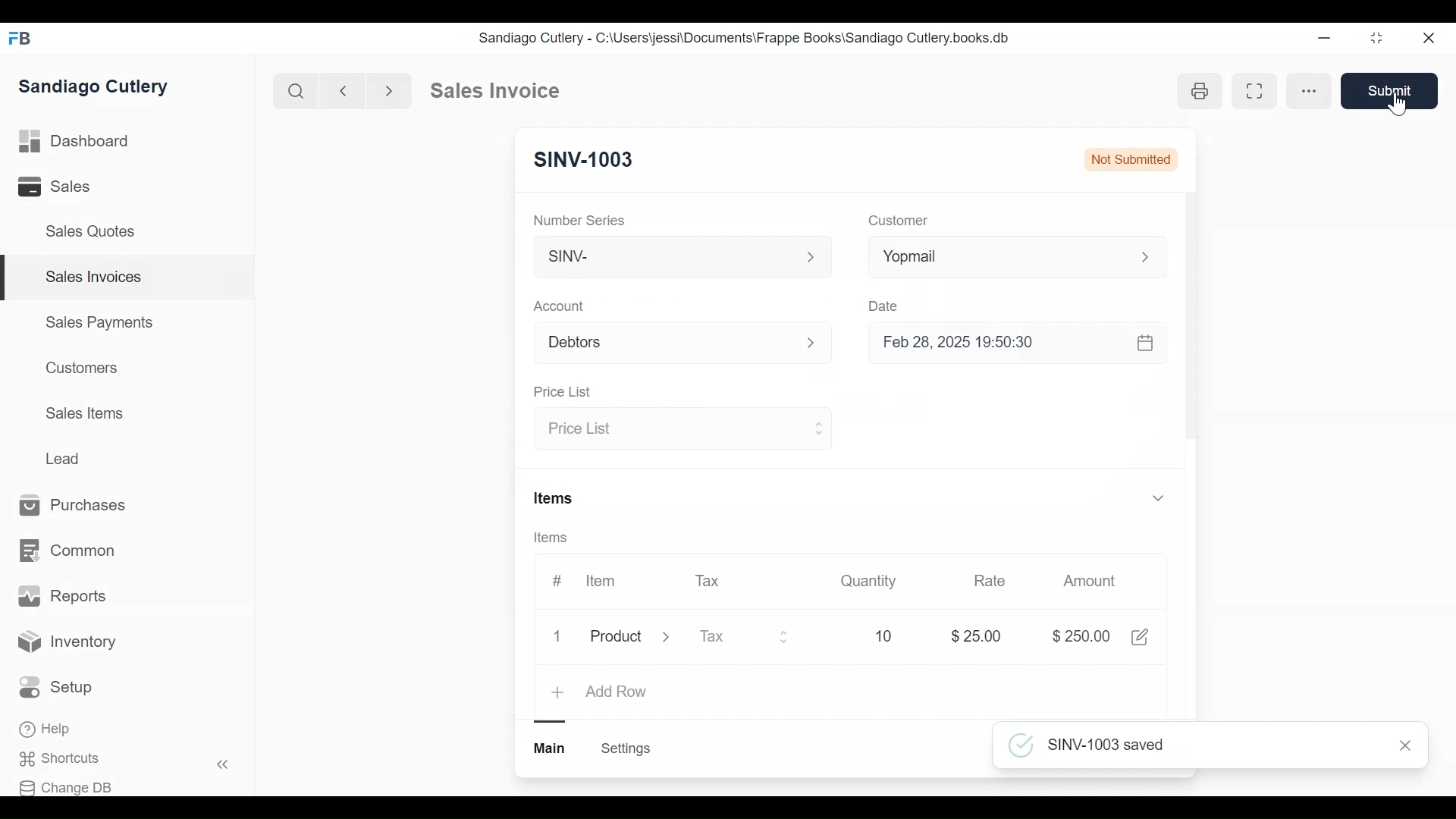 This screenshot has height=819, width=1456. What do you see at coordinates (98, 322) in the screenshot?
I see `Sales Payments` at bounding box center [98, 322].